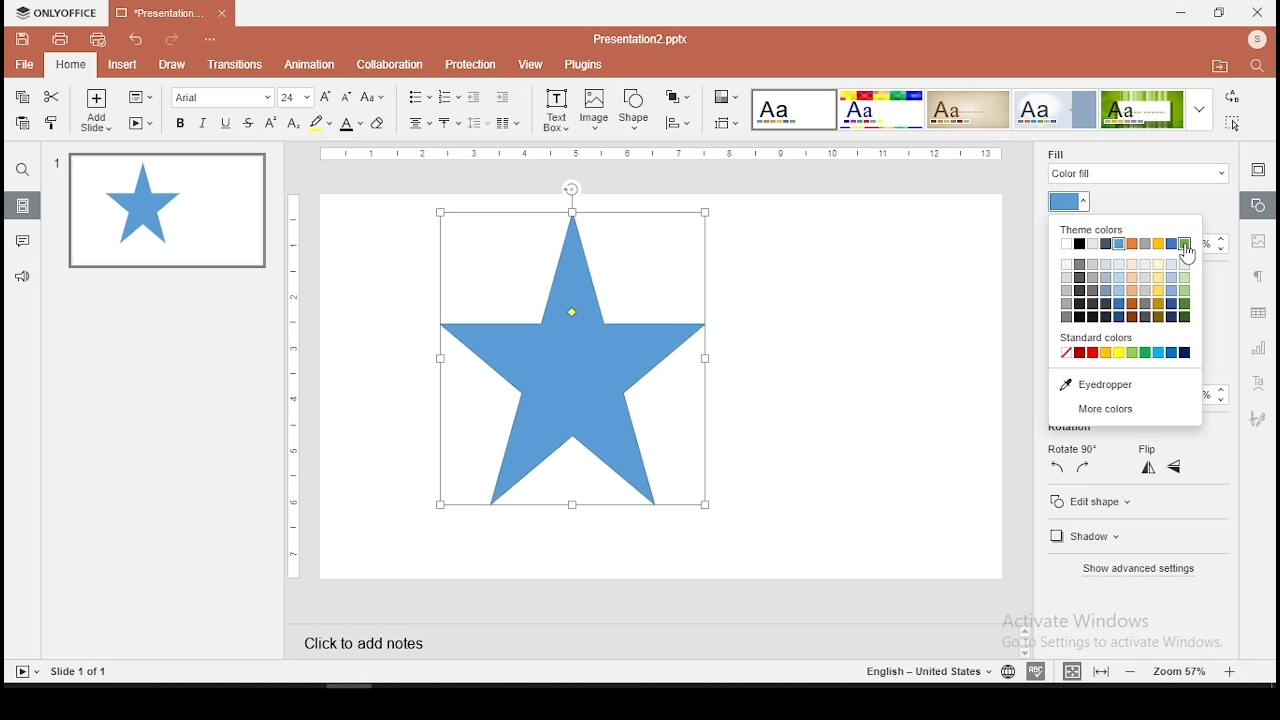 The height and width of the screenshot is (720, 1280). I want to click on theme colors, so click(1092, 230).